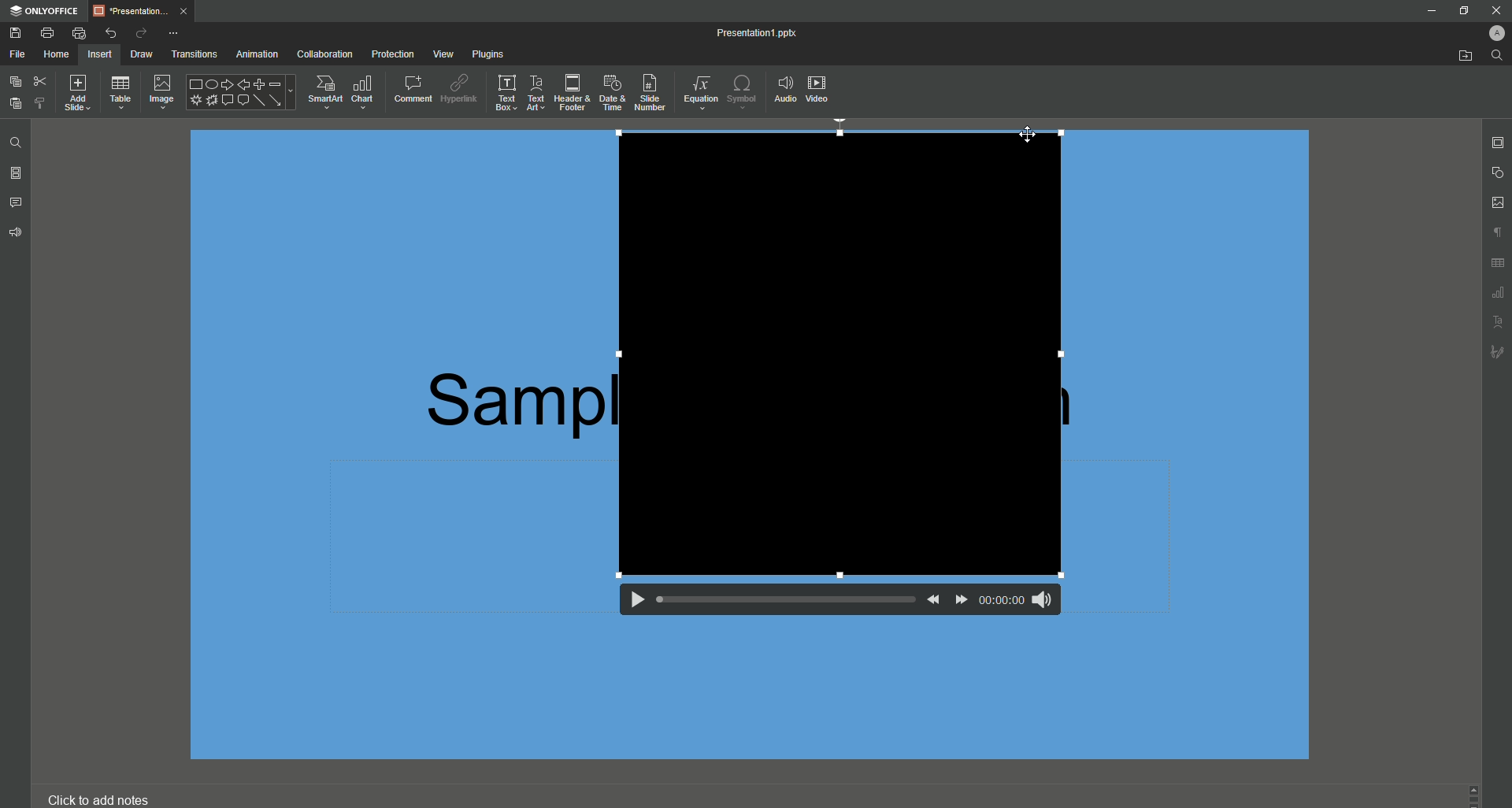 This screenshot has height=808, width=1512. I want to click on Cut, so click(39, 80).